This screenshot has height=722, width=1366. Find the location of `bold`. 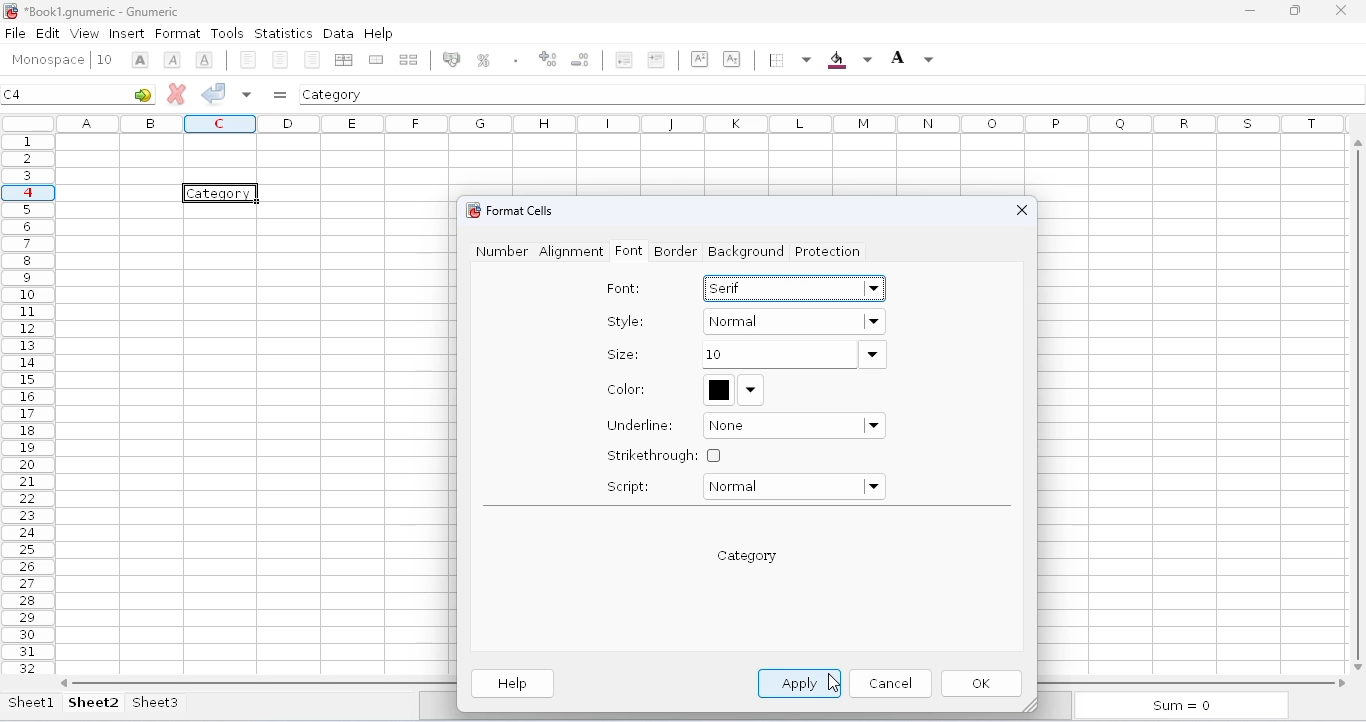

bold is located at coordinates (140, 60).